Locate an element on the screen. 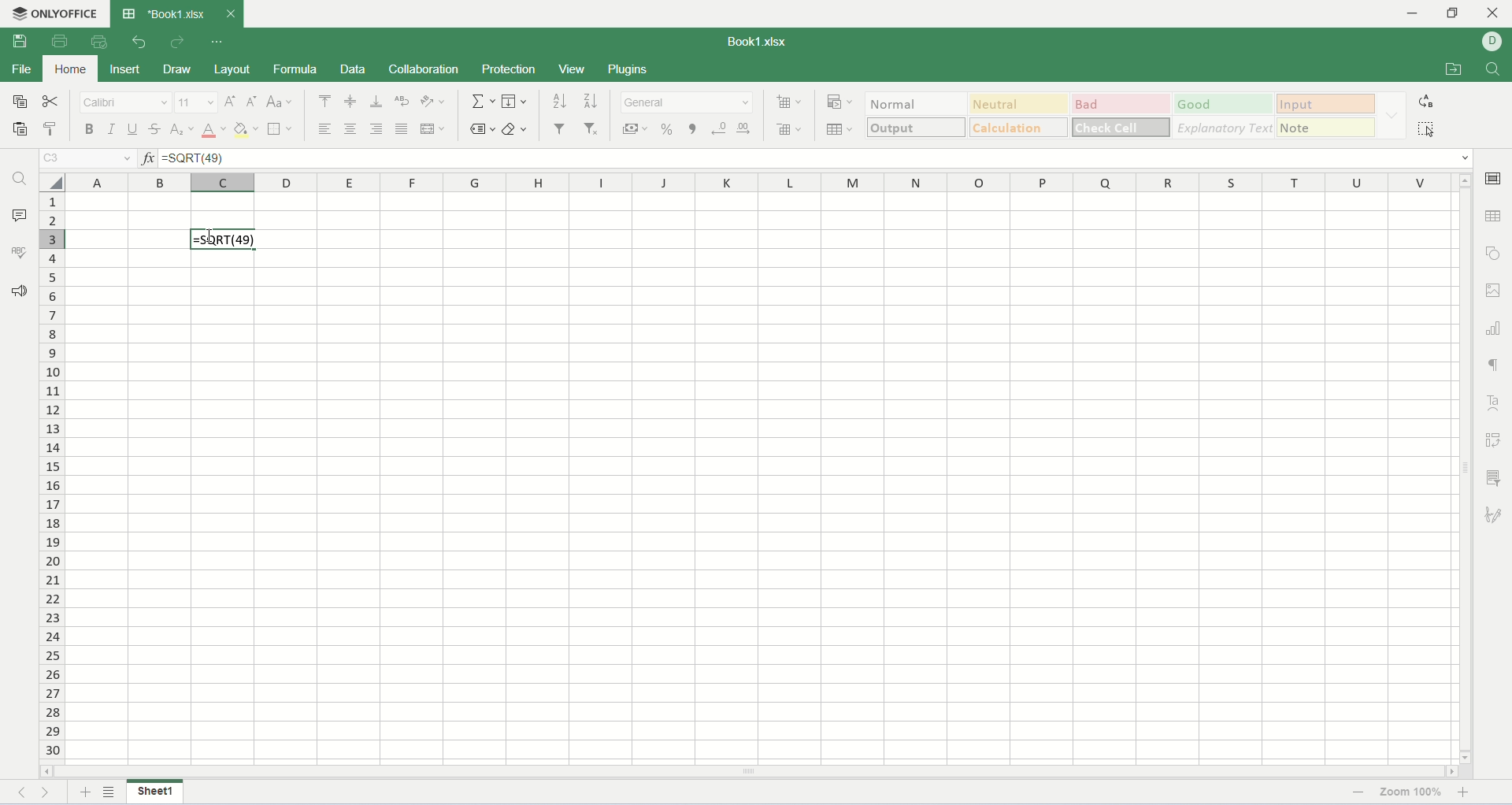  minimize is located at coordinates (1410, 12).